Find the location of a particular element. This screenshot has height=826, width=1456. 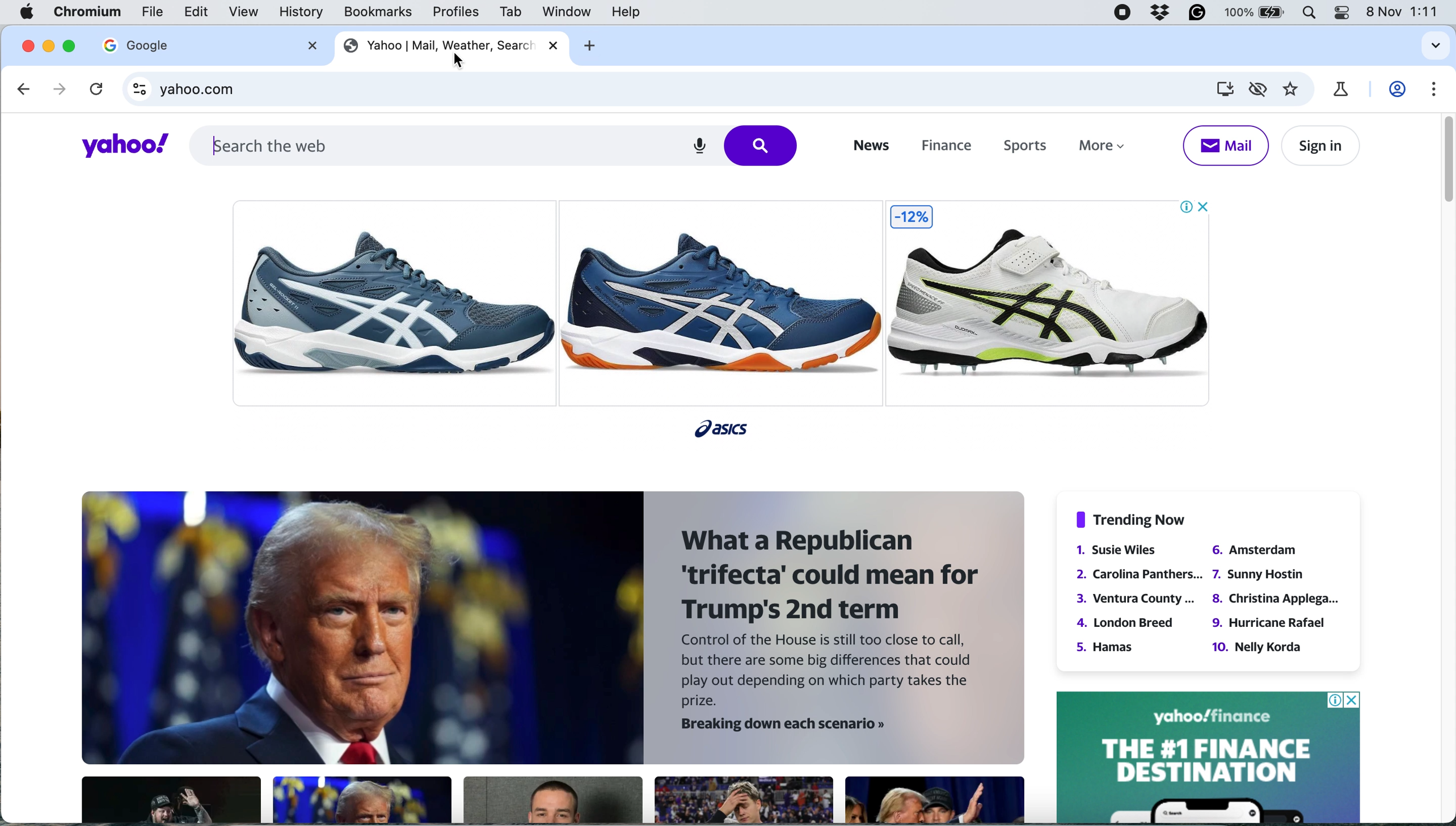

screen recorder is located at coordinates (1124, 14).